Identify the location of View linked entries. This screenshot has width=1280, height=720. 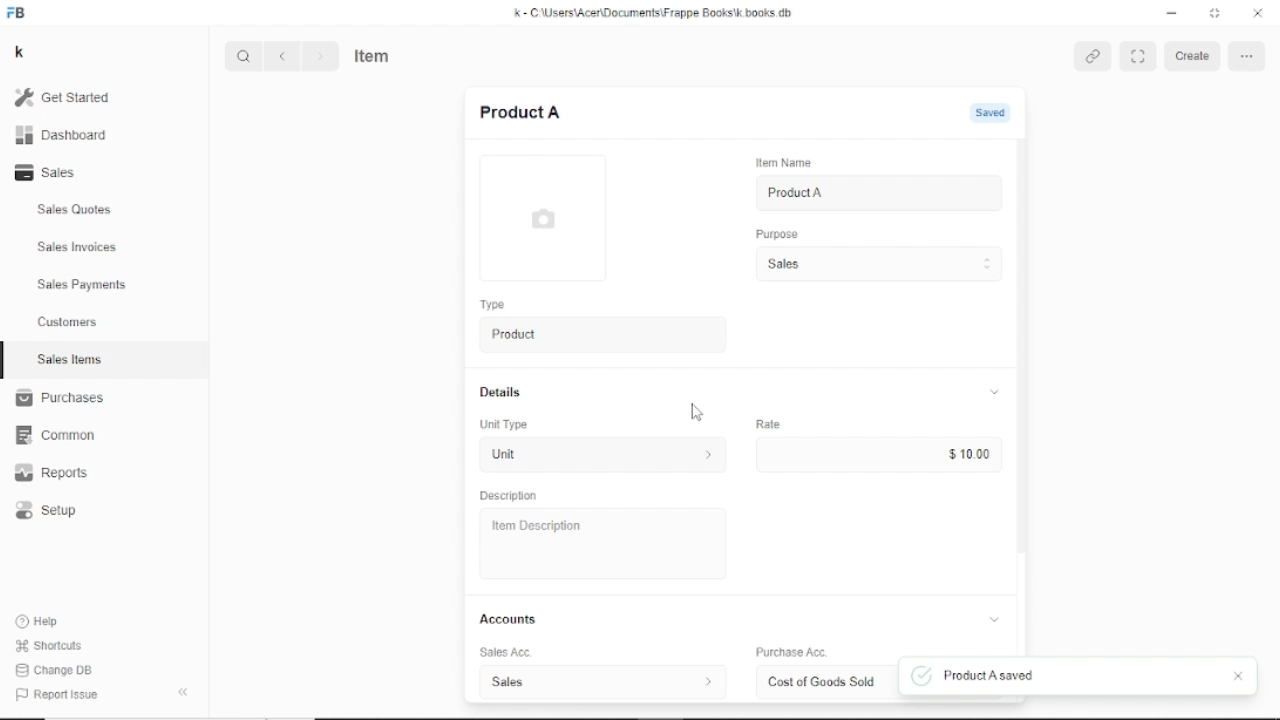
(1094, 57).